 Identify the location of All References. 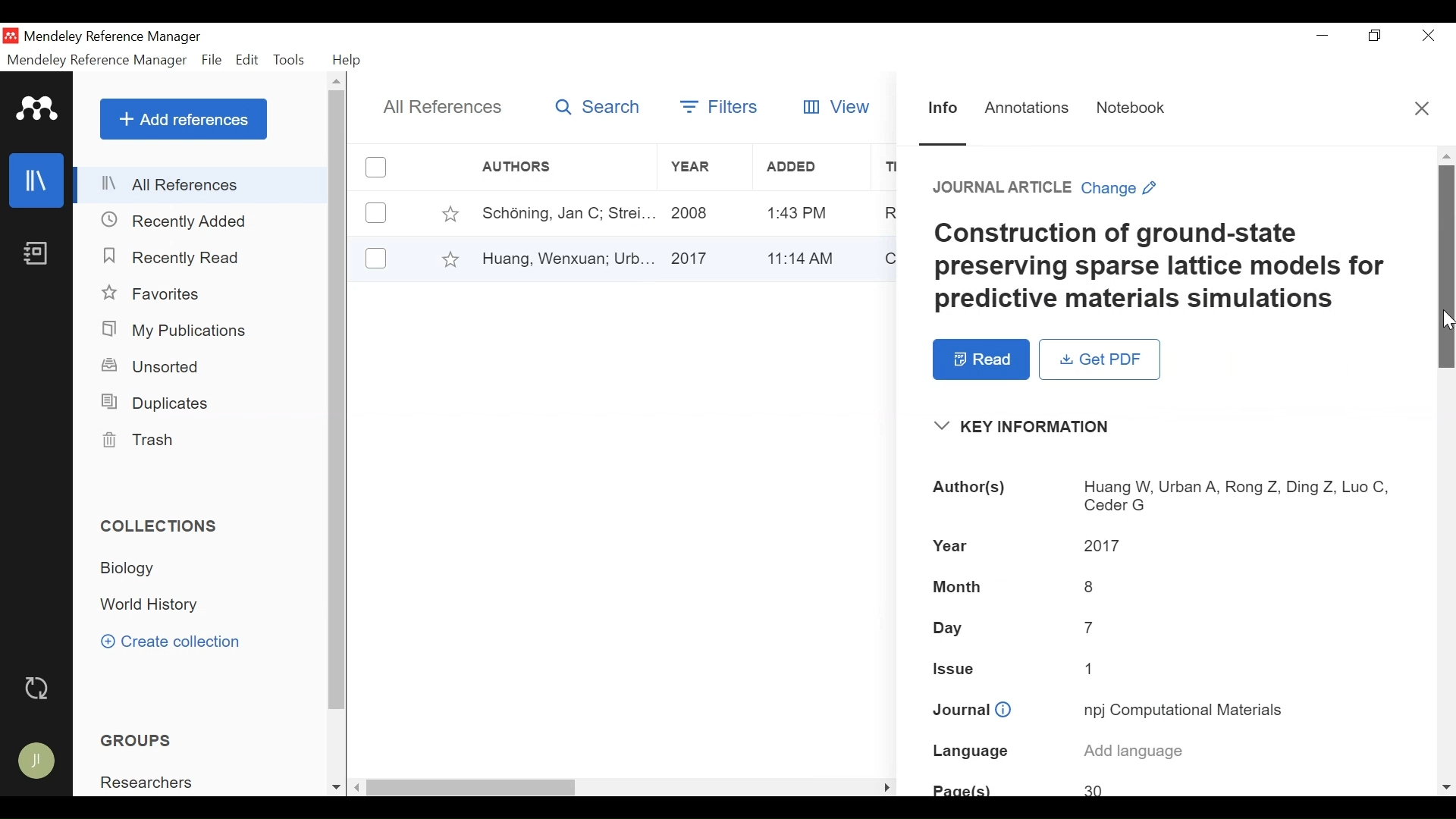
(441, 108).